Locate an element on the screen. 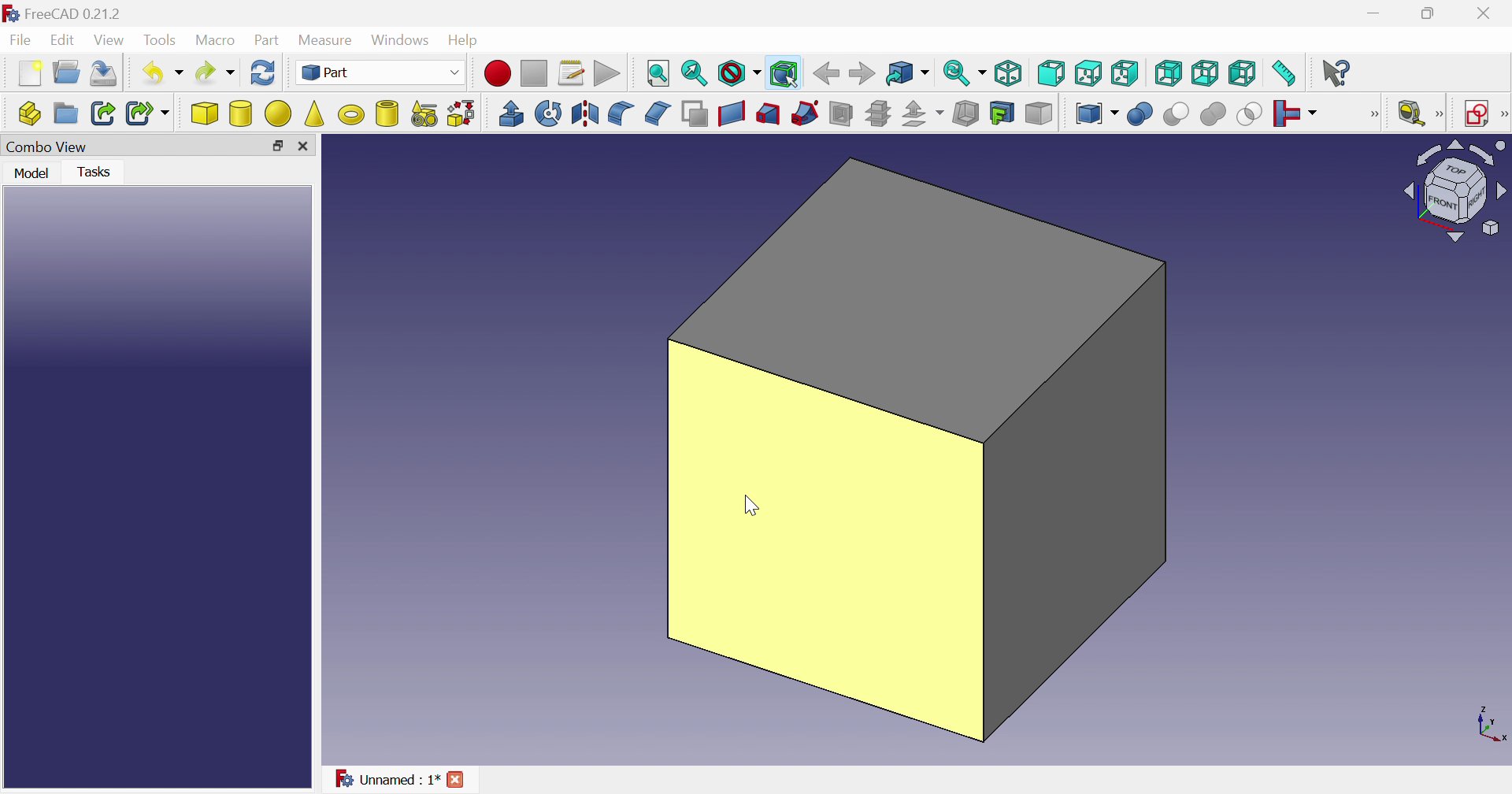 The width and height of the screenshot is (1512, 794). Restore down is located at coordinates (1435, 13).